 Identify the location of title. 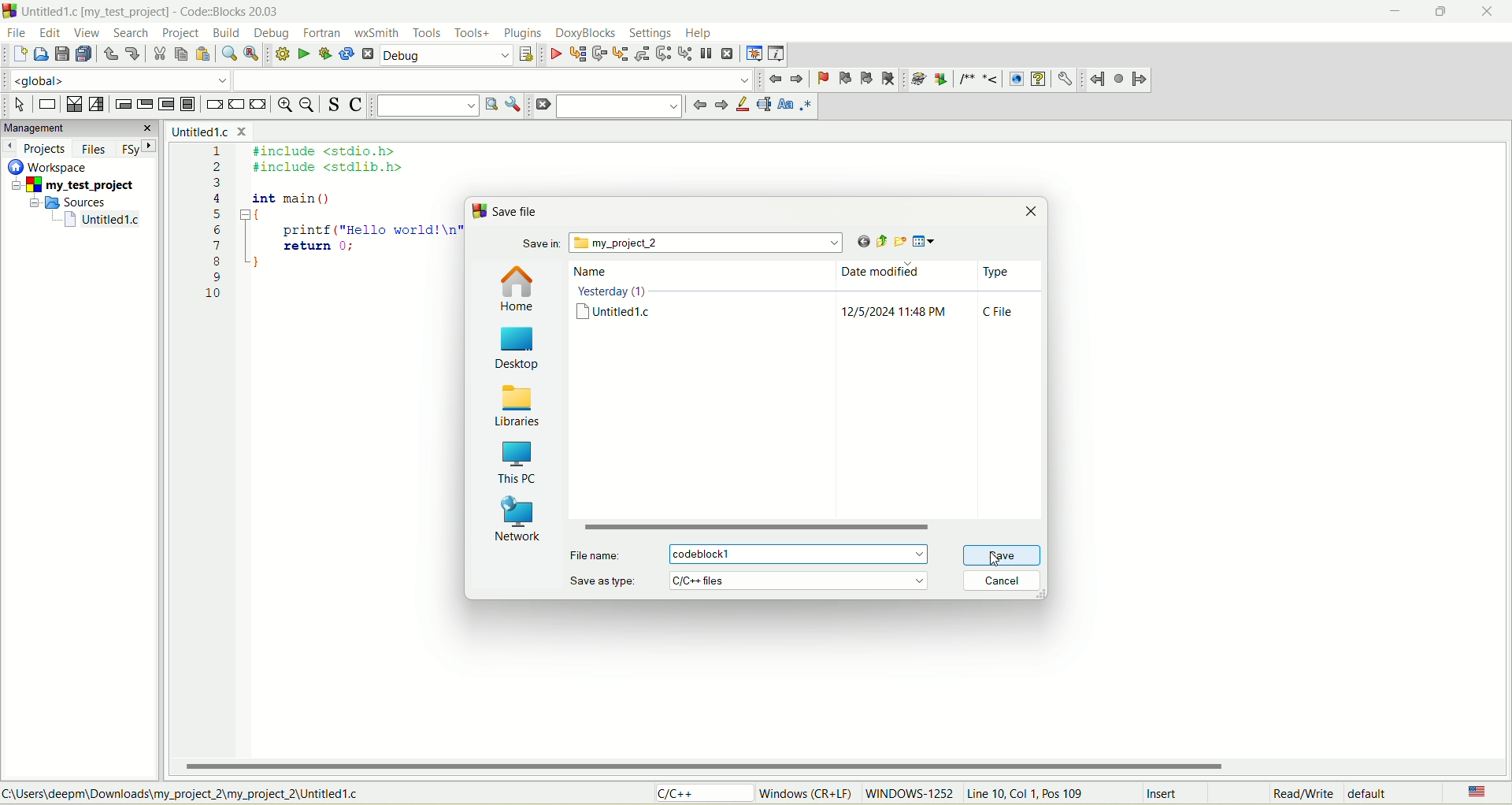
(208, 131).